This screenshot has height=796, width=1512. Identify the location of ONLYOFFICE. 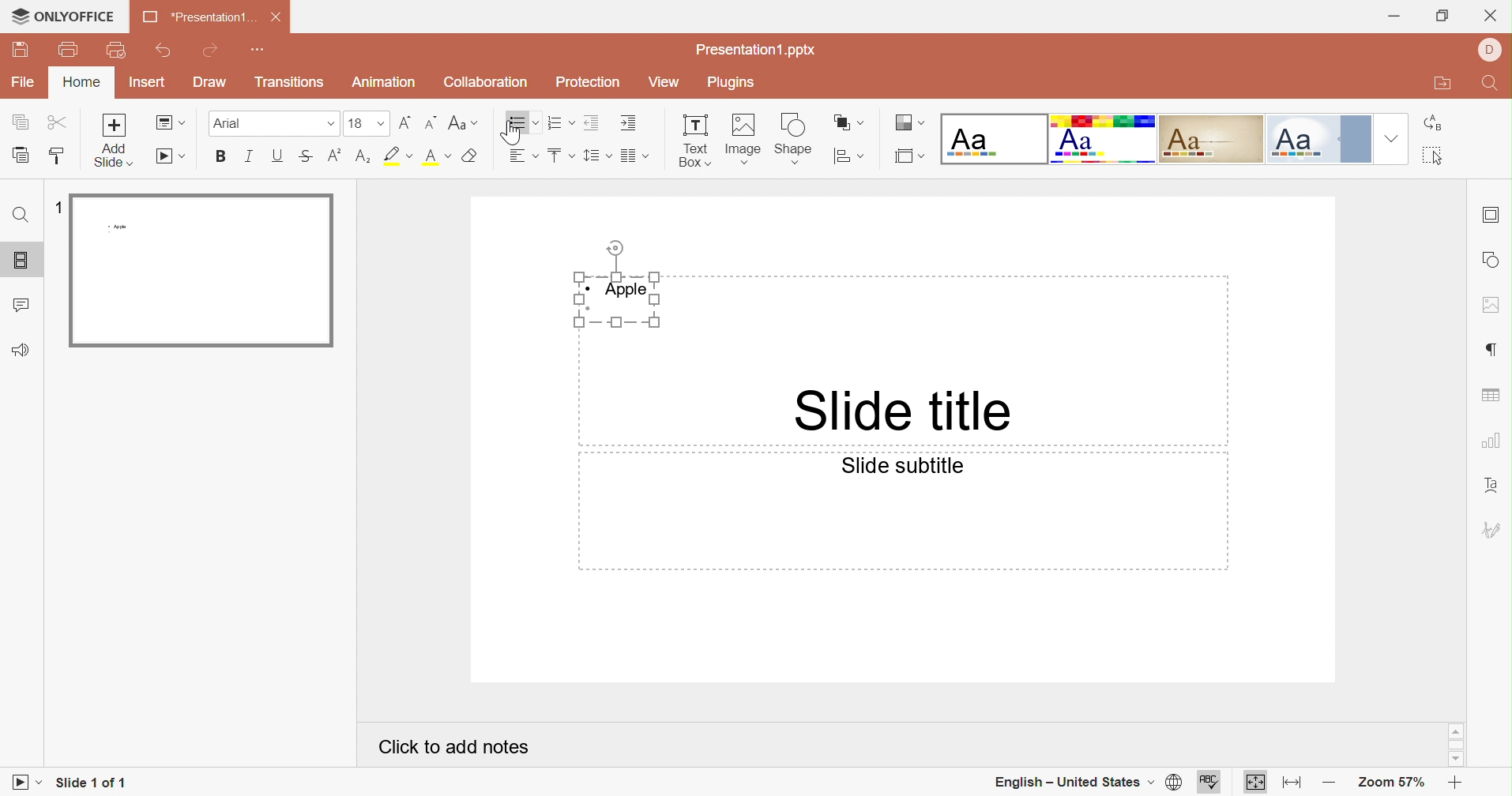
(74, 17).